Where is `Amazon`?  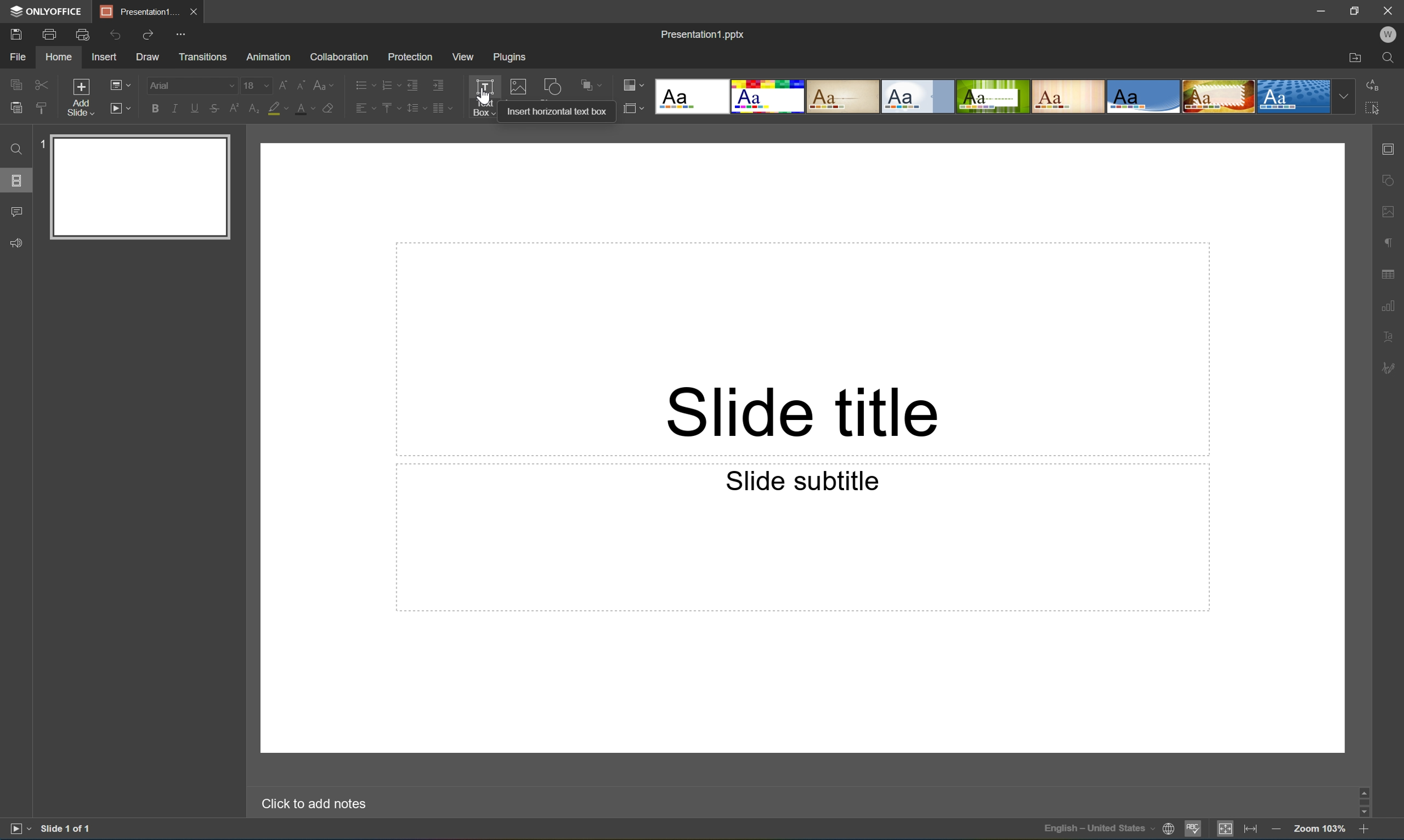 Amazon is located at coordinates (269, 55).